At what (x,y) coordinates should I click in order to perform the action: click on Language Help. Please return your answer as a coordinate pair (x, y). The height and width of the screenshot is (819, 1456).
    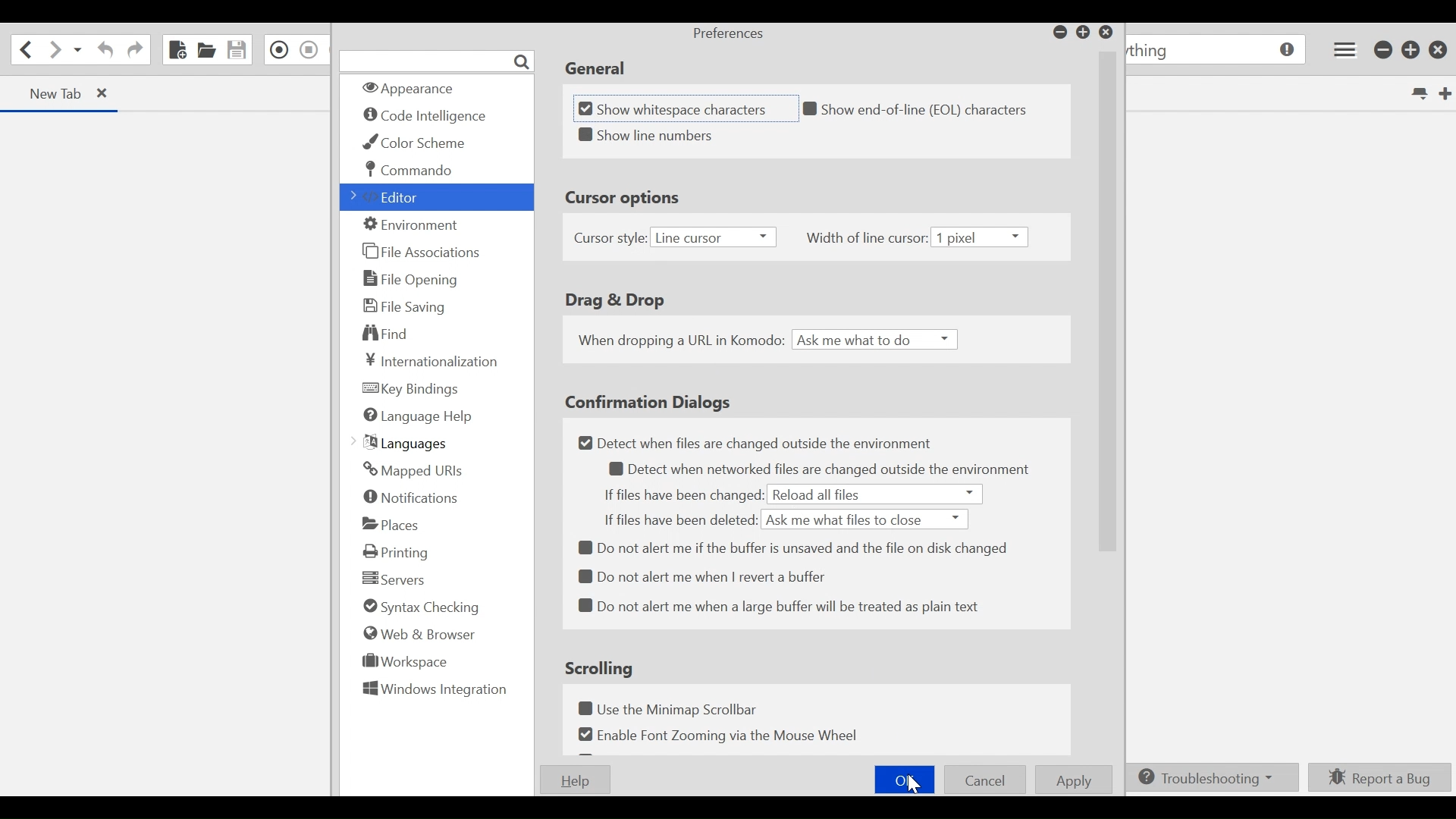
    Looking at the image, I should click on (418, 416).